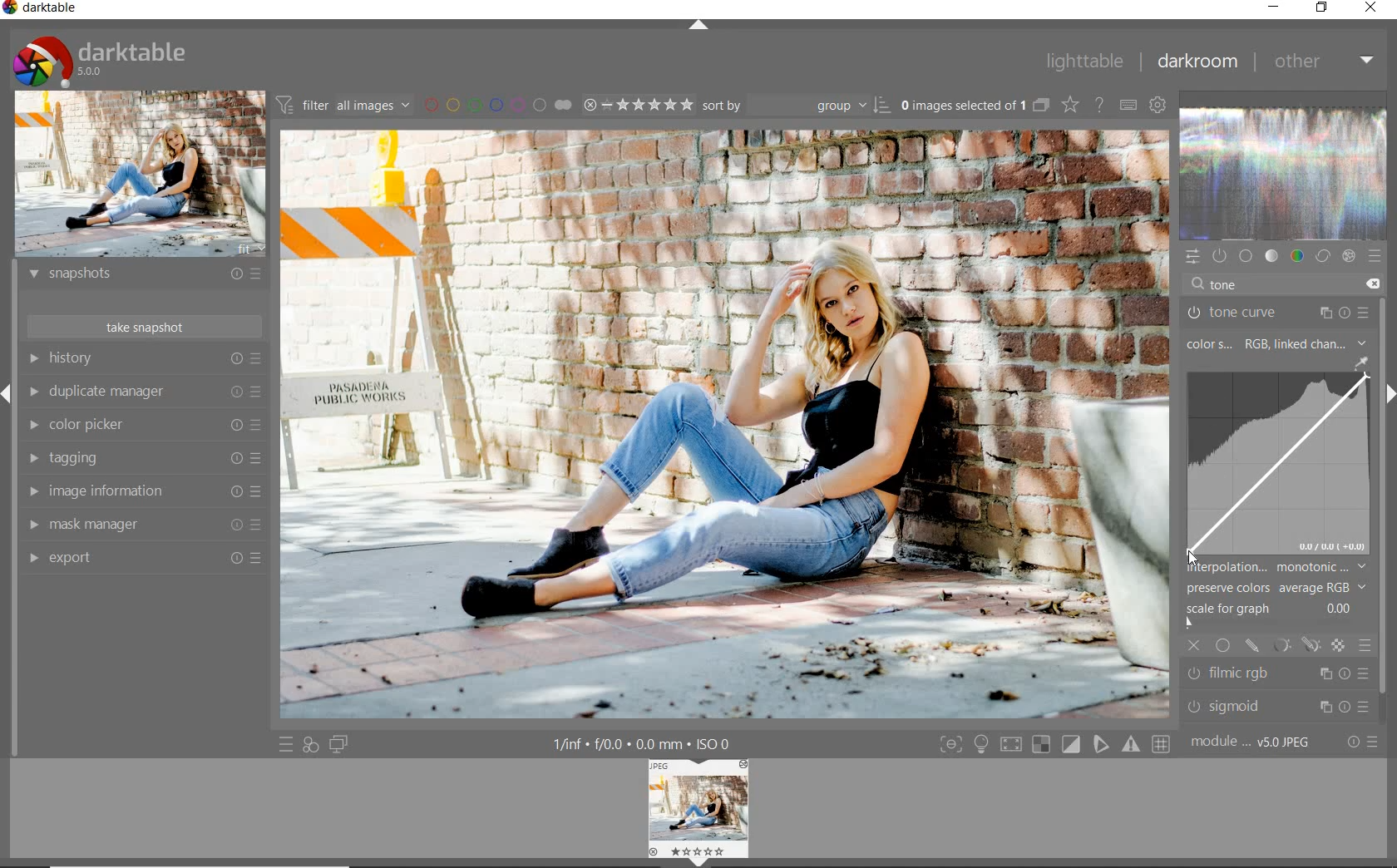 This screenshot has height=868, width=1397. Describe the element at coordinates (142, 325) in the screenshot. I see `take snapshot` at that location.